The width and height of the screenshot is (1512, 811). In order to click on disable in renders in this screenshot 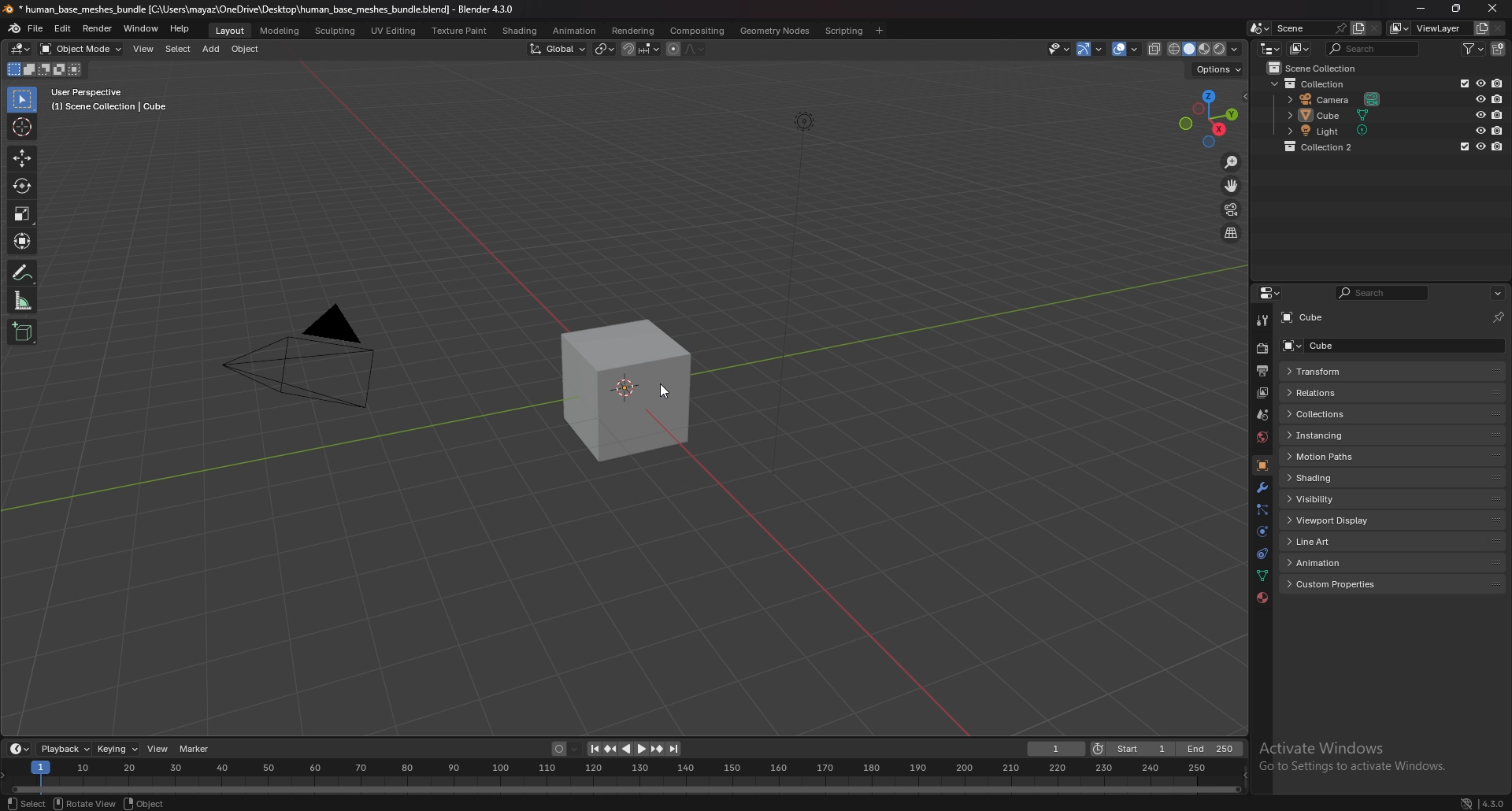, I will do `click(1498, 146)`.